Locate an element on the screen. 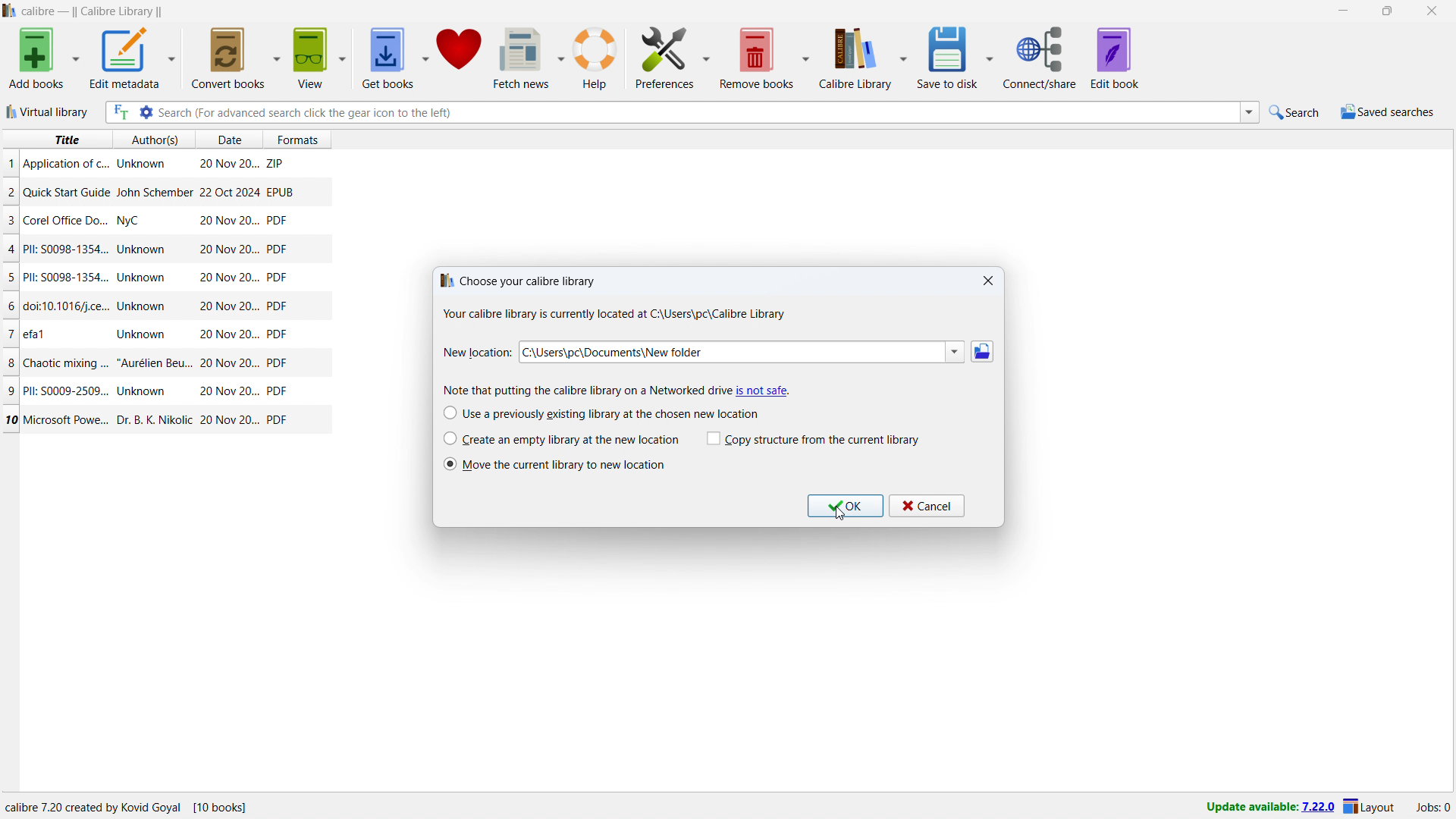 This screenshot has height=819, width=1456. saved searches menu is located at coordinates (1387, 112).